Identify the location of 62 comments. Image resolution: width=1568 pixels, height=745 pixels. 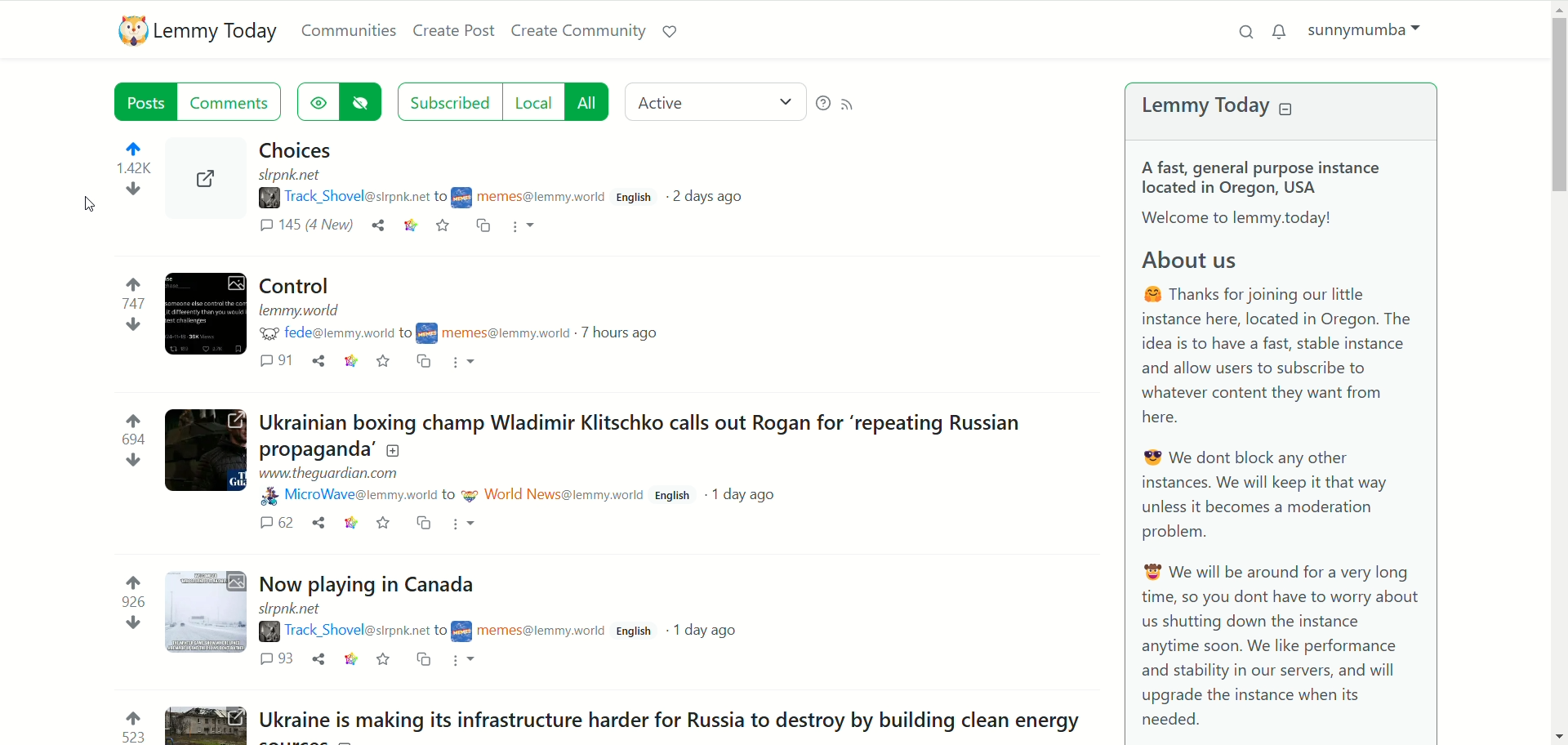
(278, 522).